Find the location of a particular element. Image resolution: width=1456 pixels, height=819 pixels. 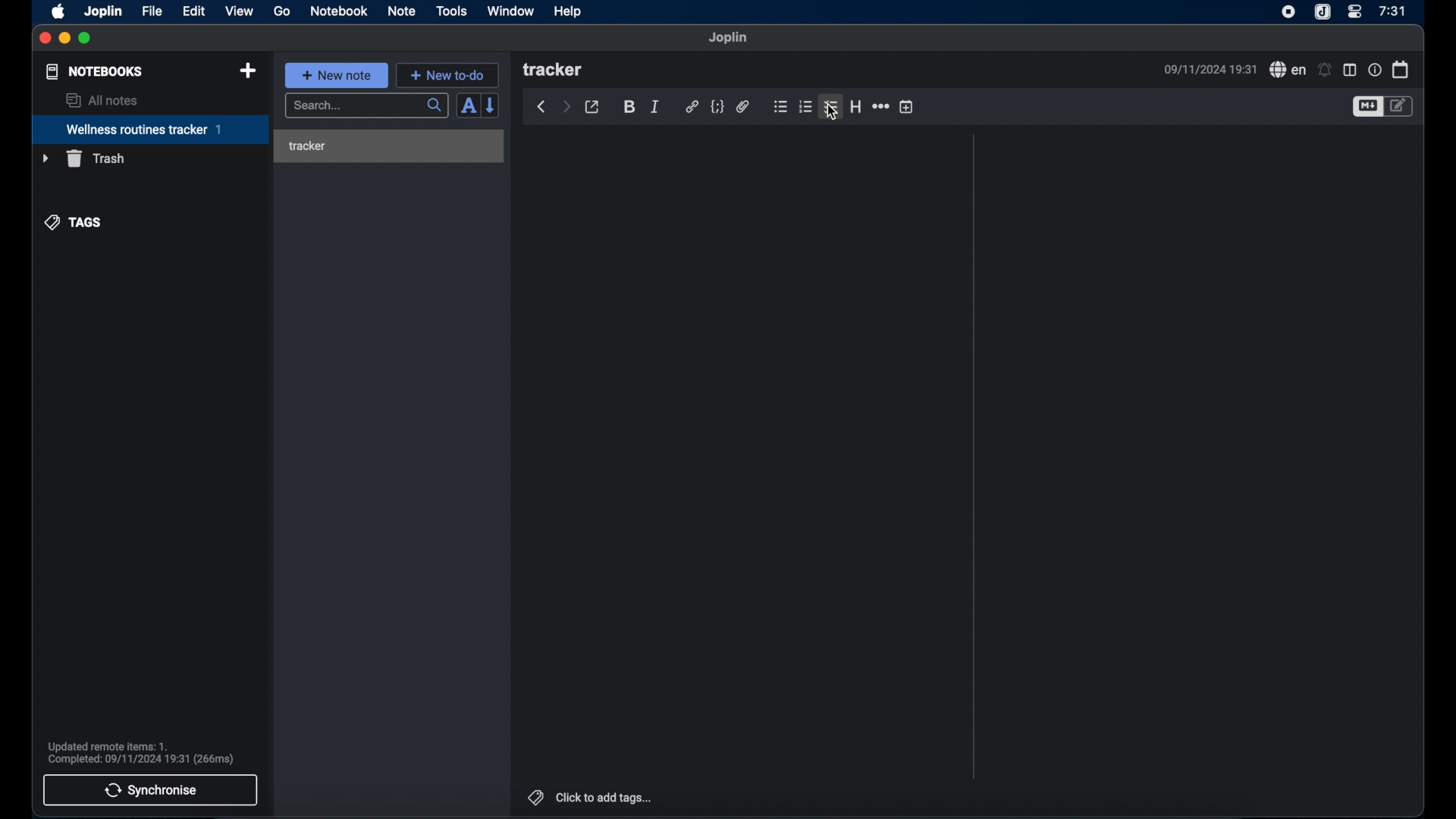

toggle editor is located at coordinates (1401, 107).